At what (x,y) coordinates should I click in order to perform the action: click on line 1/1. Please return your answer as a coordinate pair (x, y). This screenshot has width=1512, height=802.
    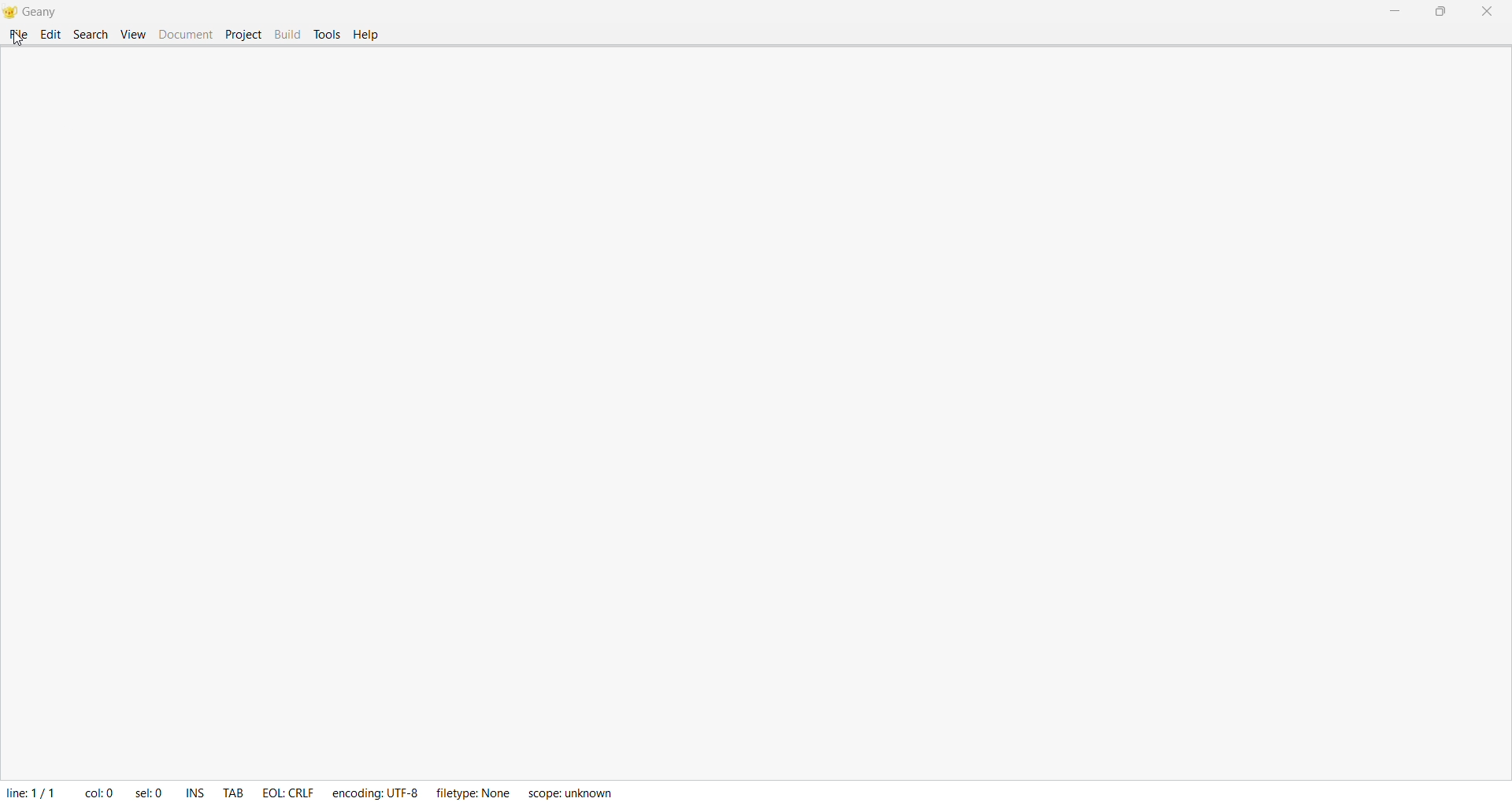
    Looking at the image, I should click on (29, 793).